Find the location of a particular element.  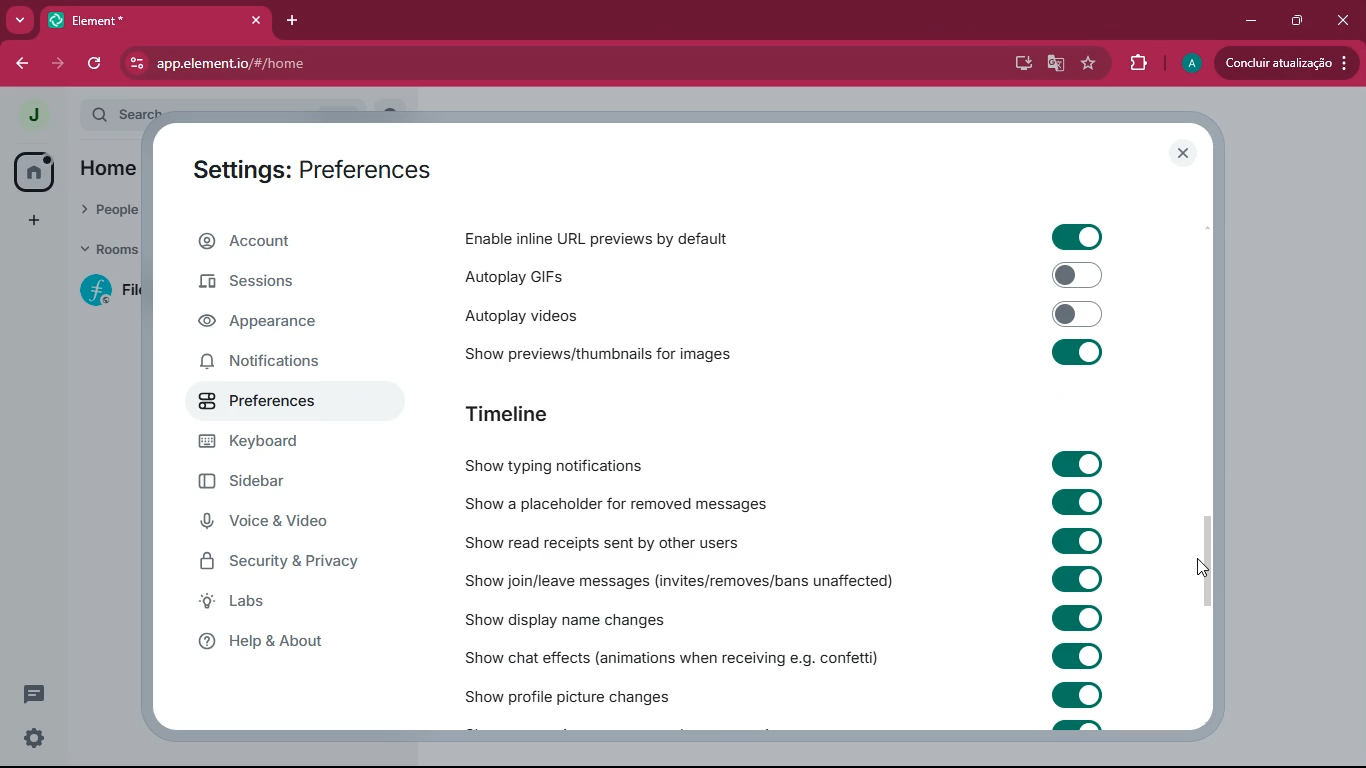

threads is located at coordinates (32, 695).